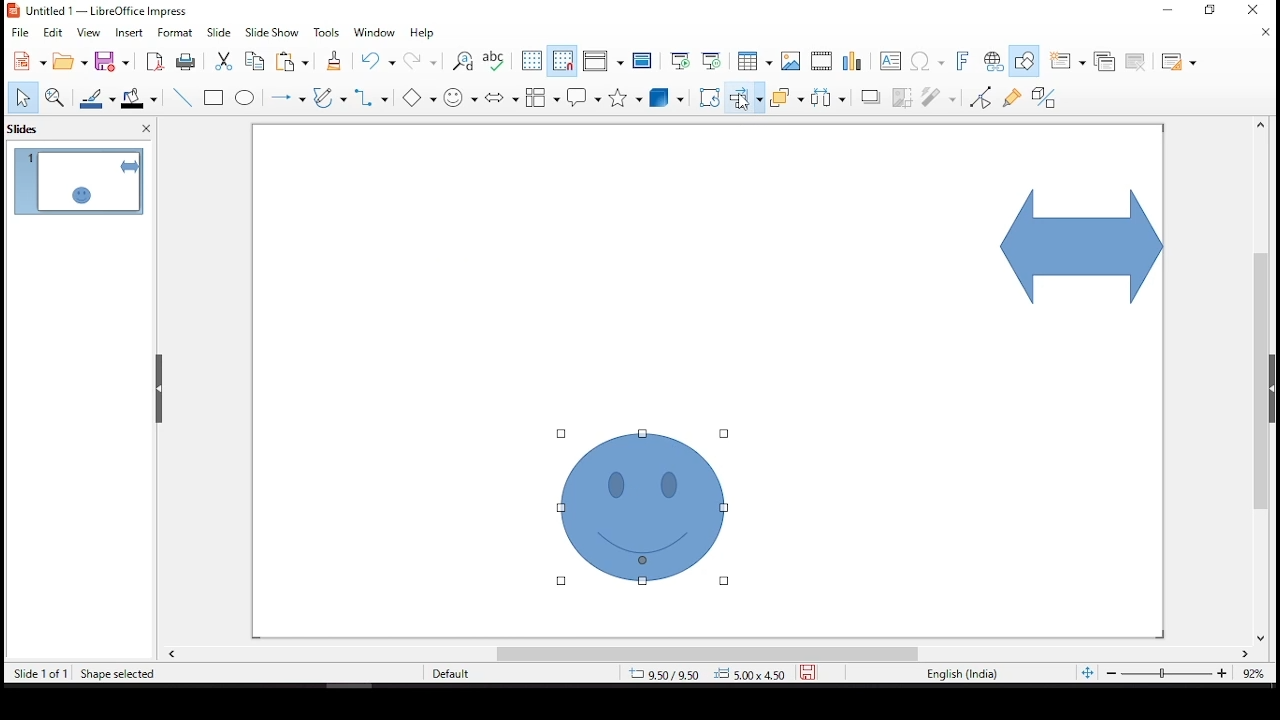 This screenshot has width=1280, height=720. Describe the element at coordinates (1075, 246) in the screenshot. I see `shape (selected)` at that location.